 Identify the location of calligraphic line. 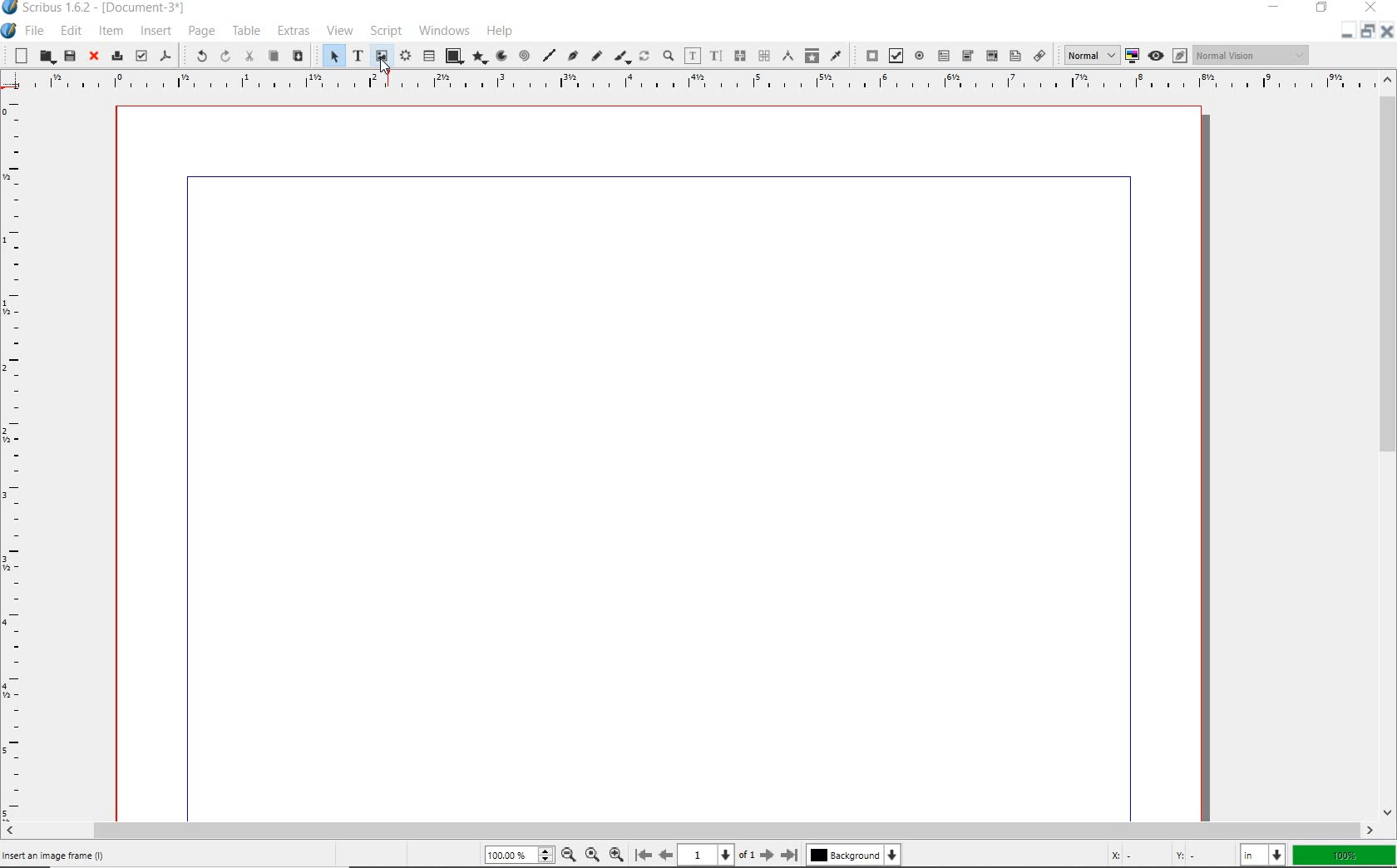
(621, 57).